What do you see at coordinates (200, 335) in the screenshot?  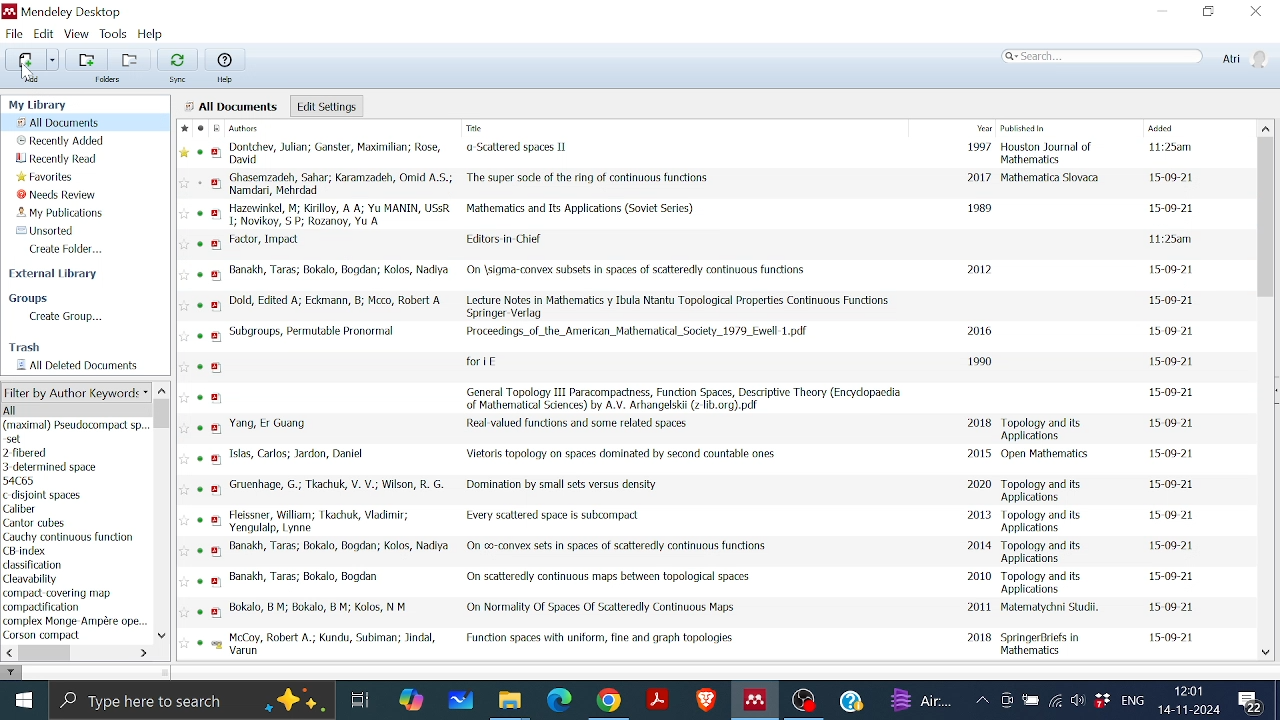 I see `read status` at bounding box center [200, 335].